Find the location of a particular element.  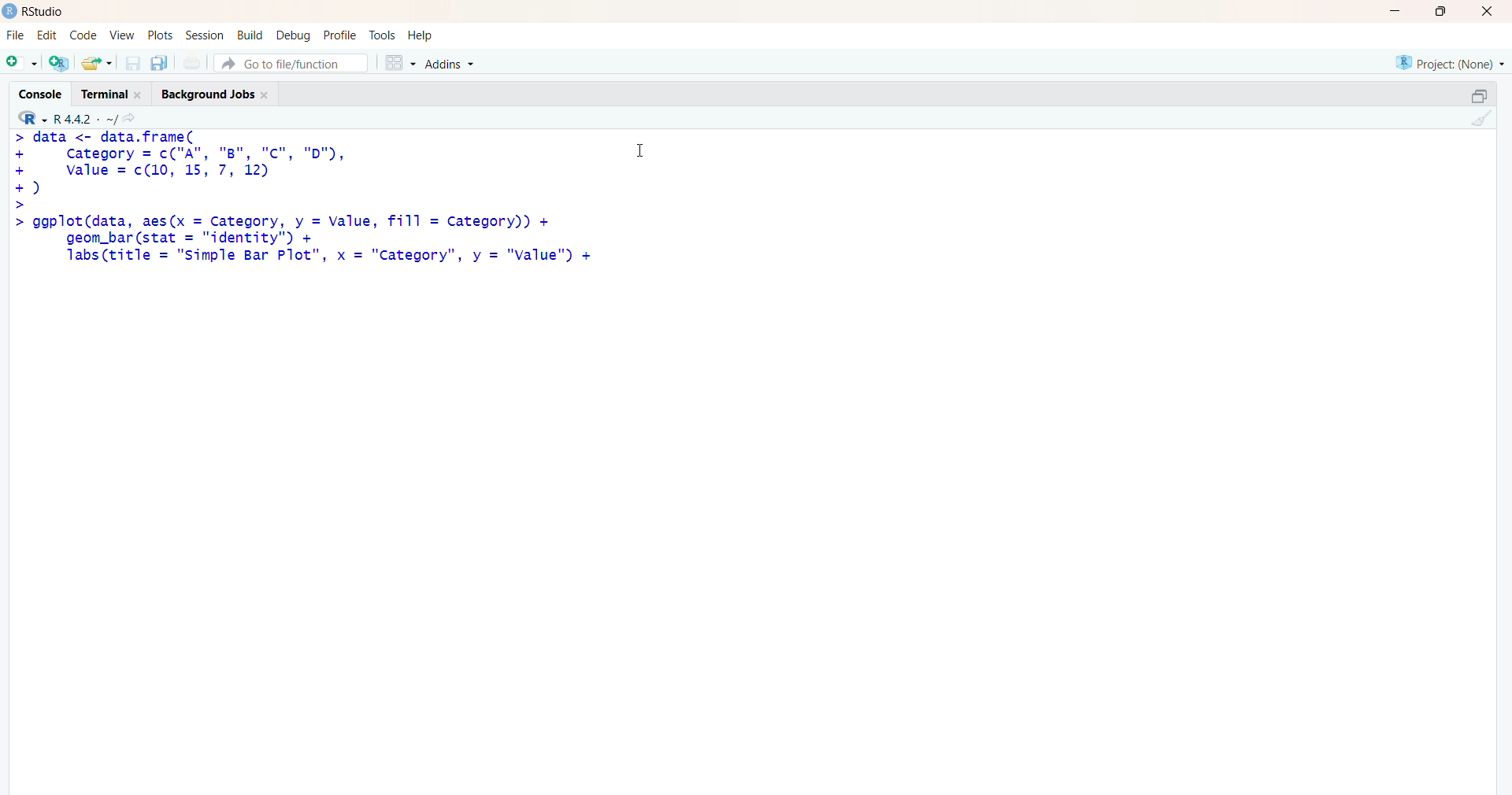

save current document is located at coordinates (132, 63).